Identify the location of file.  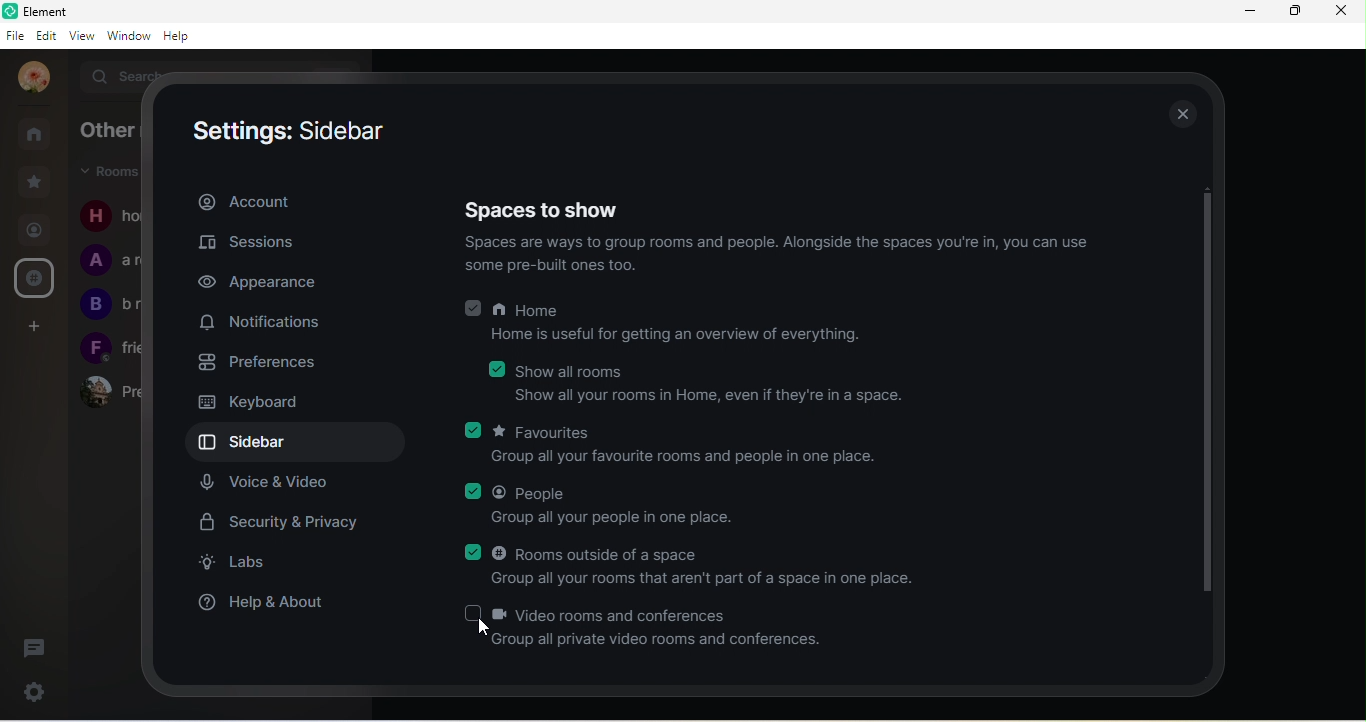
(17, 38).